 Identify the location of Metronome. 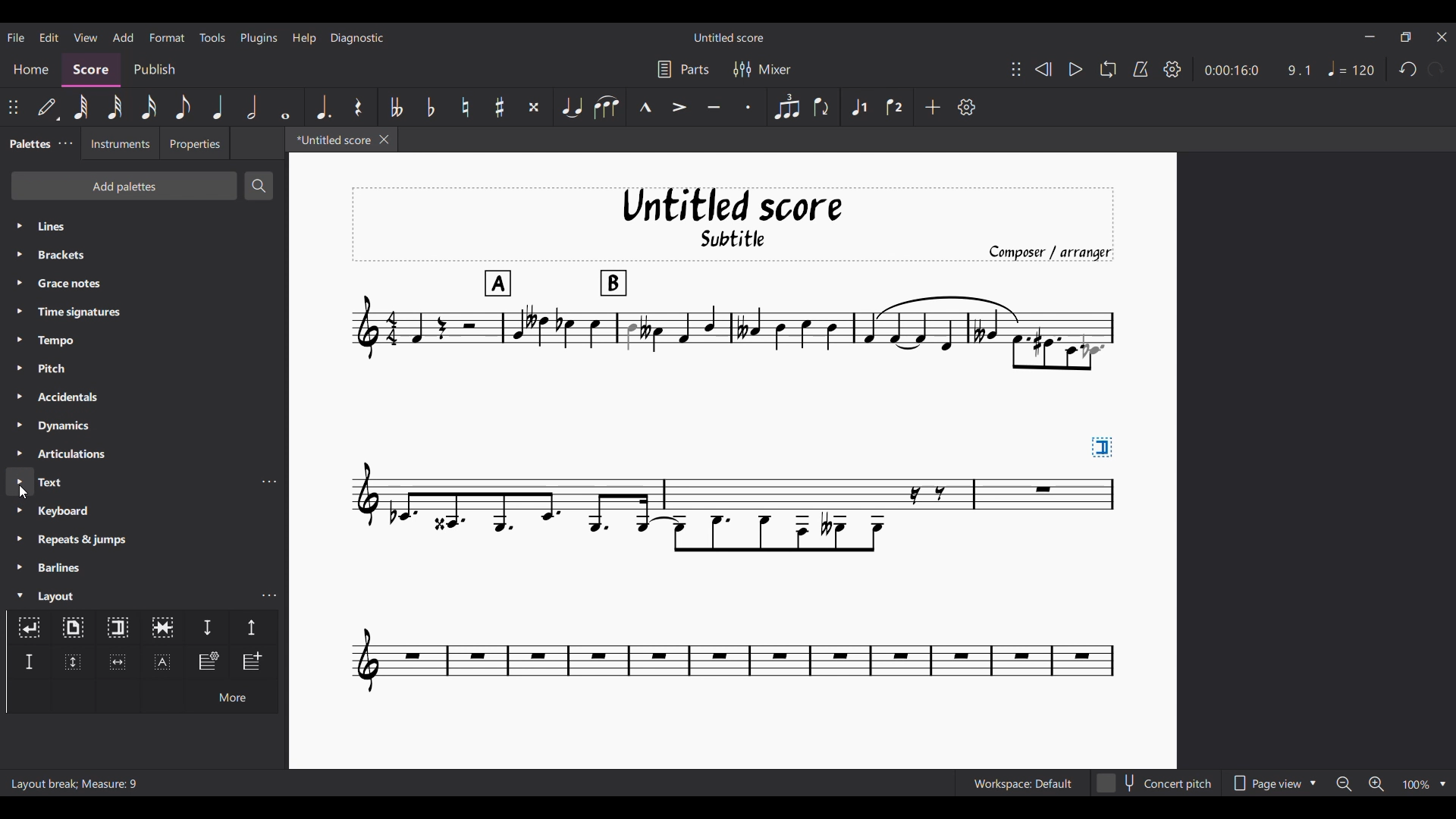
(1141, 69).